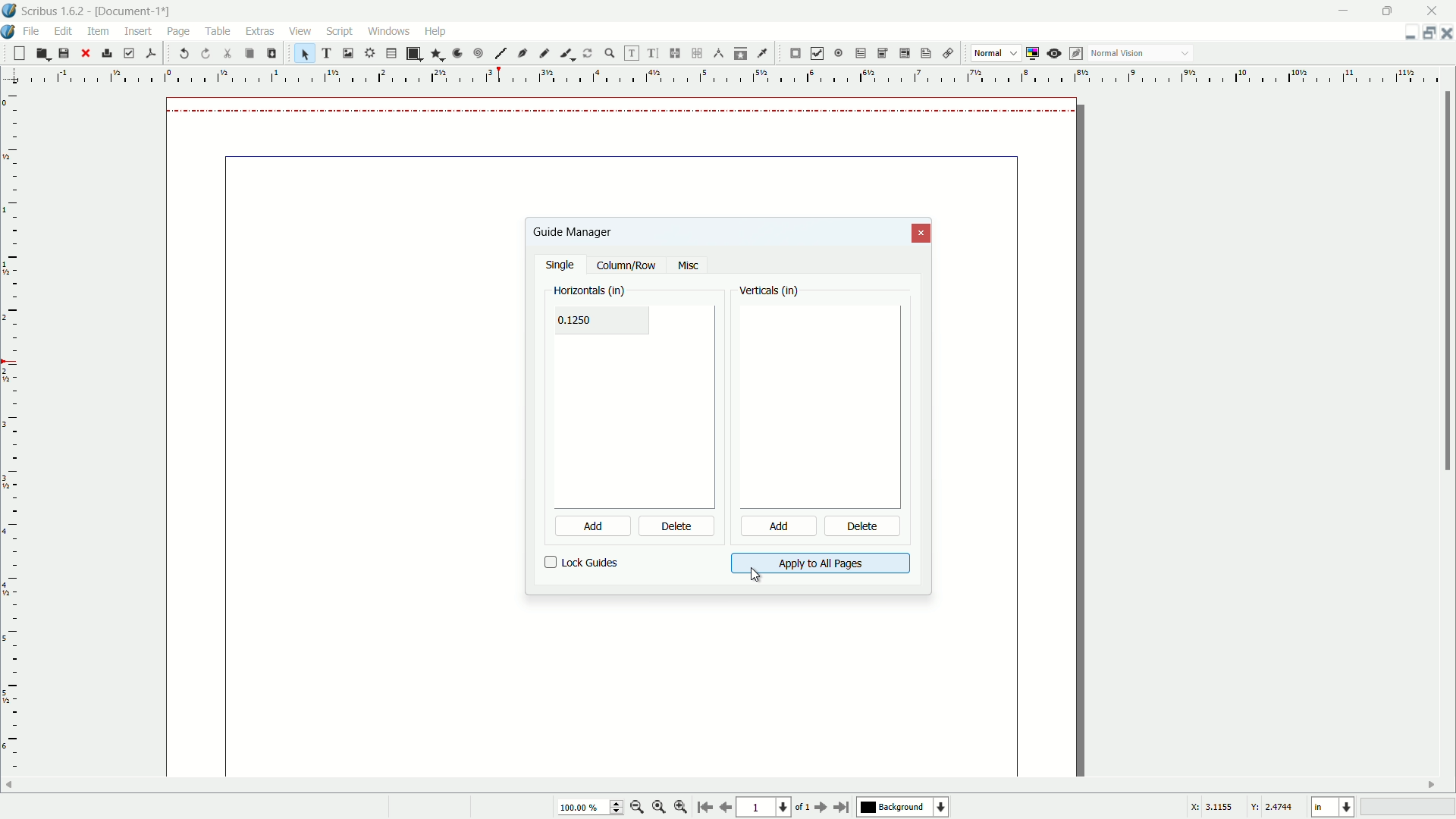 Image resolution: width=1456 pixels, height=819 pixels. Describe the element at coordinates (699, 53) in the screenshot. I see `unlink text frames` at that location.